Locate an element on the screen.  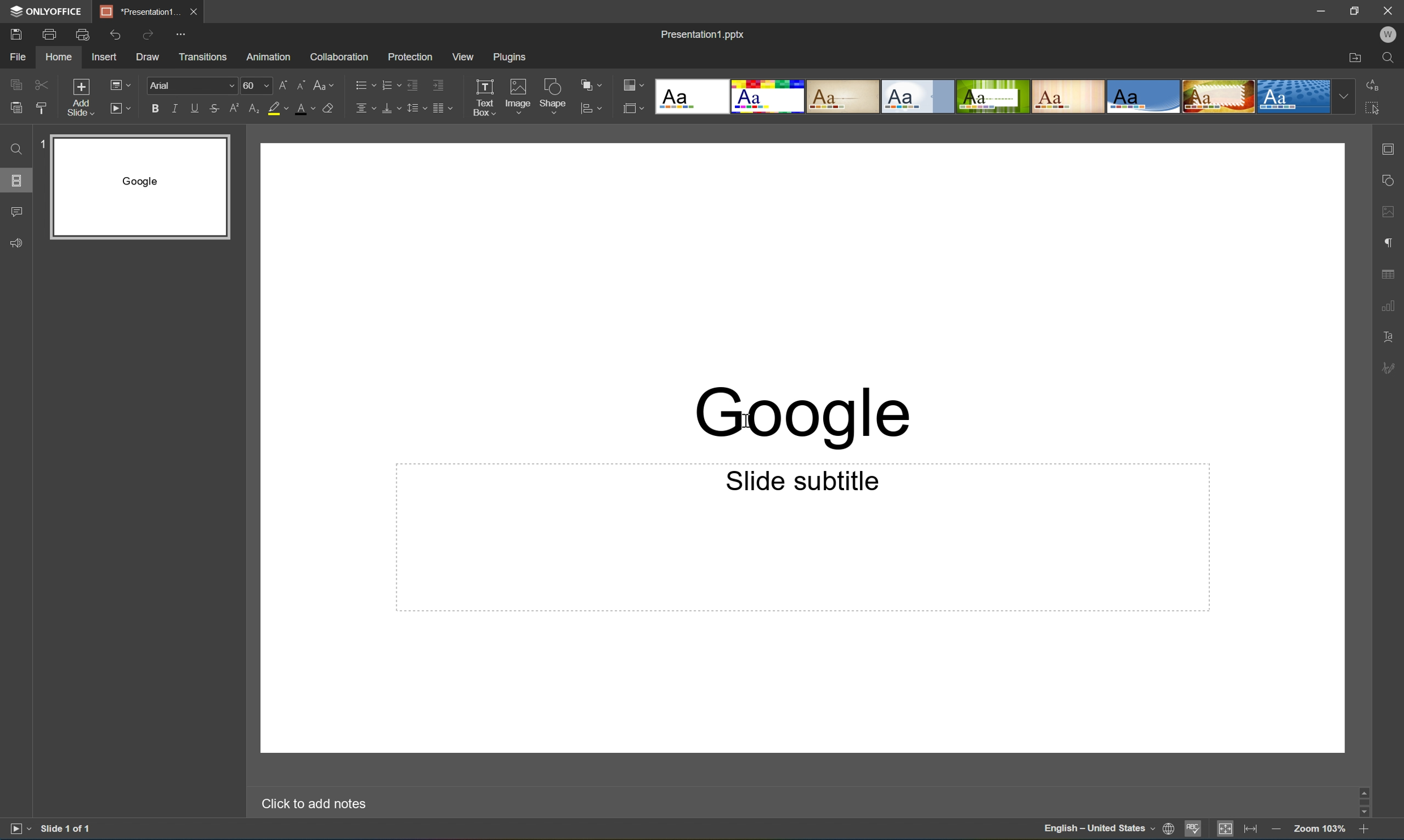
Redo is located at coordinates (148, 35).